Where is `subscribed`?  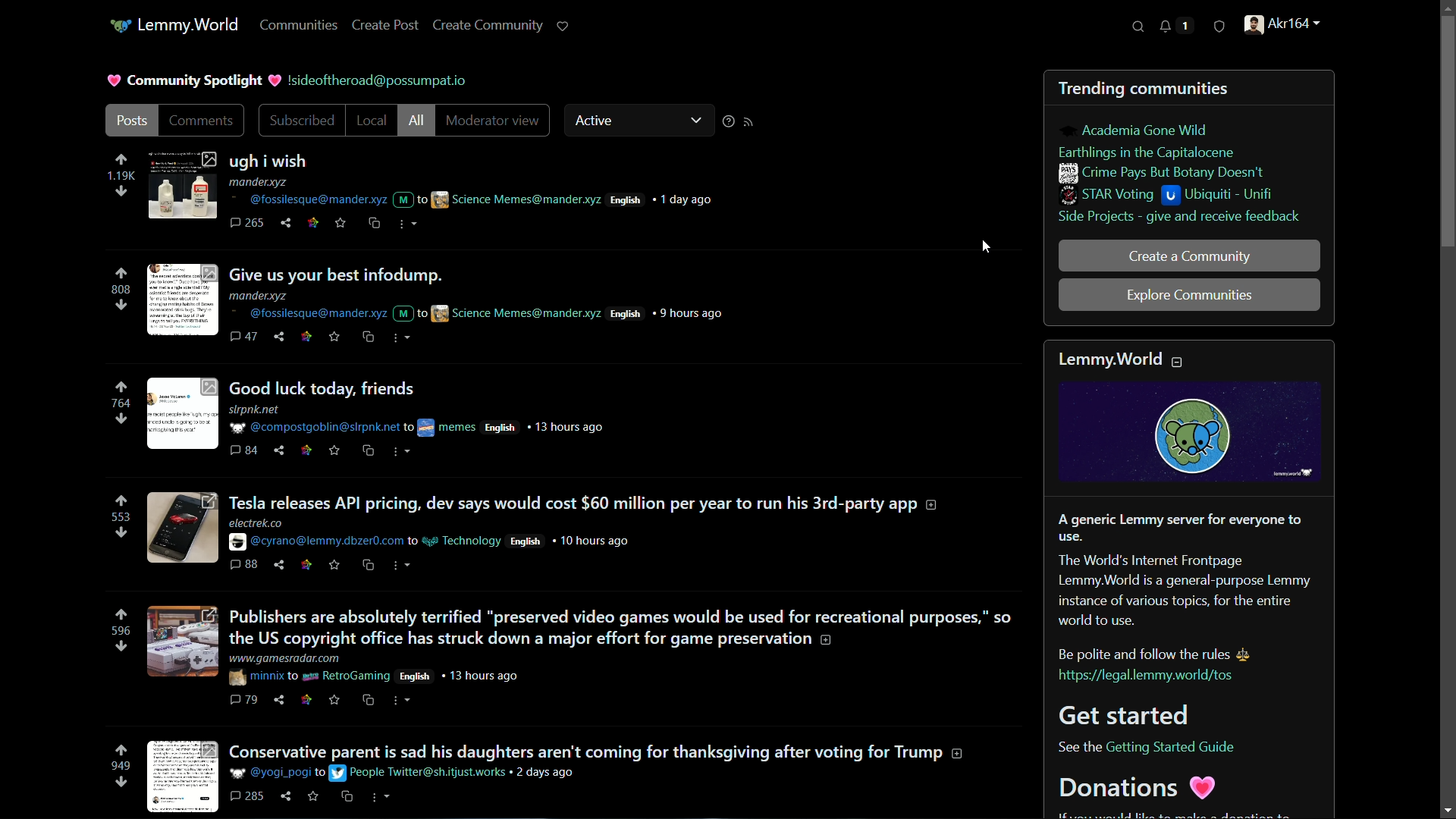 subscribed is located at coordinates (303, 122).